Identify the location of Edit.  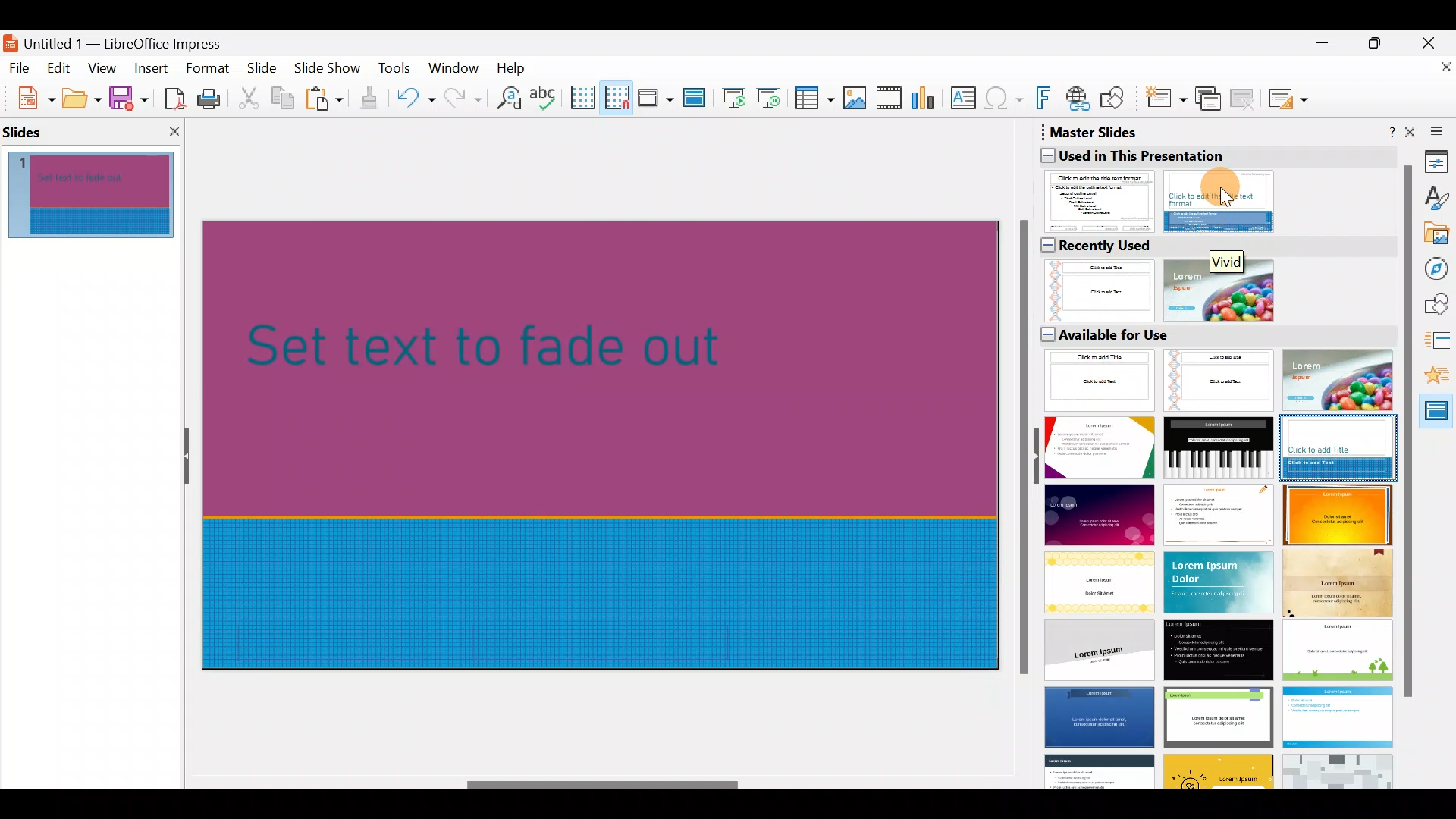
(61, 68).